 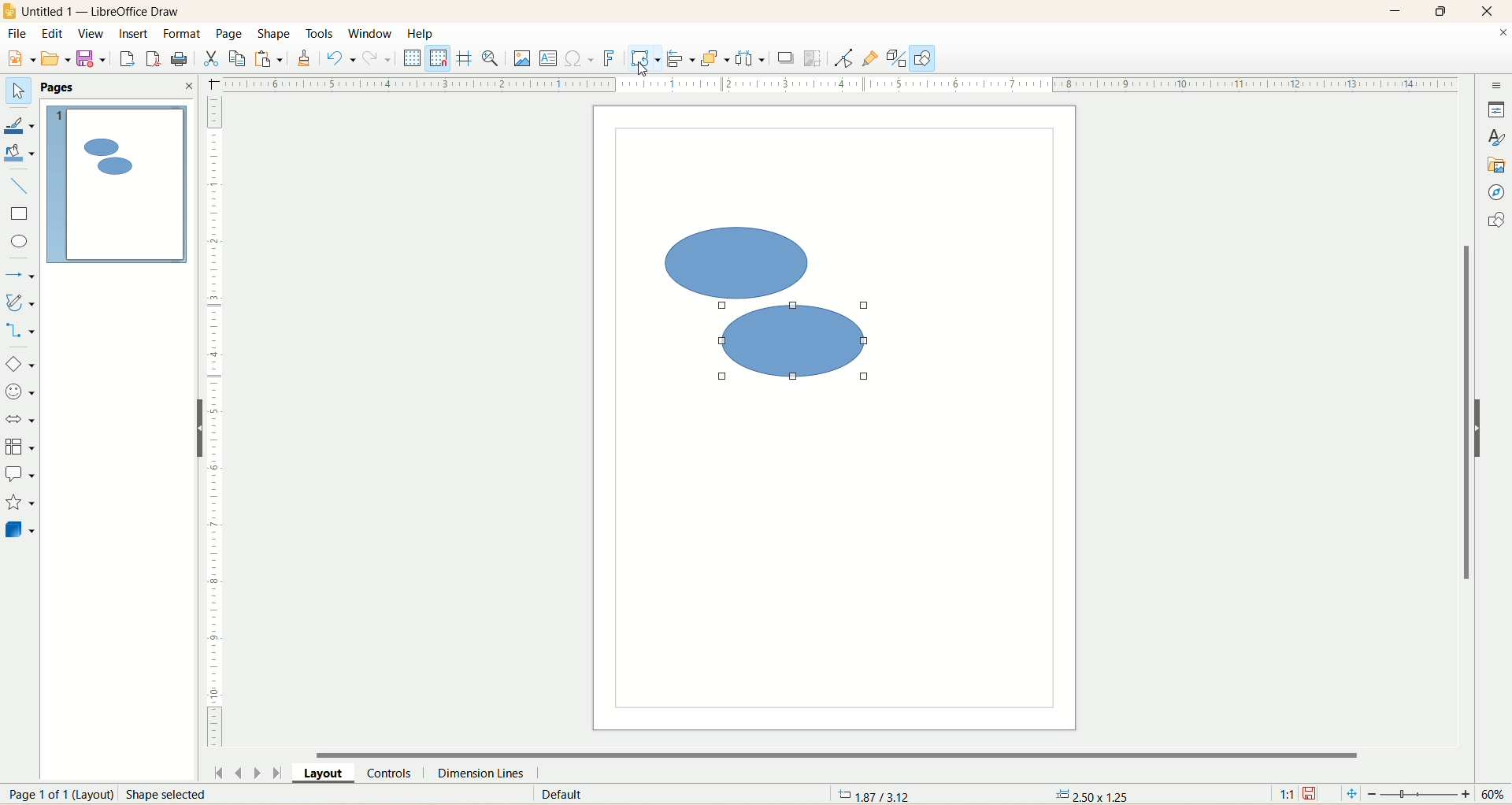 What do you see at coordinates (20, 33) in the screenshot?
I see `file` at bounding box center [20, 33].